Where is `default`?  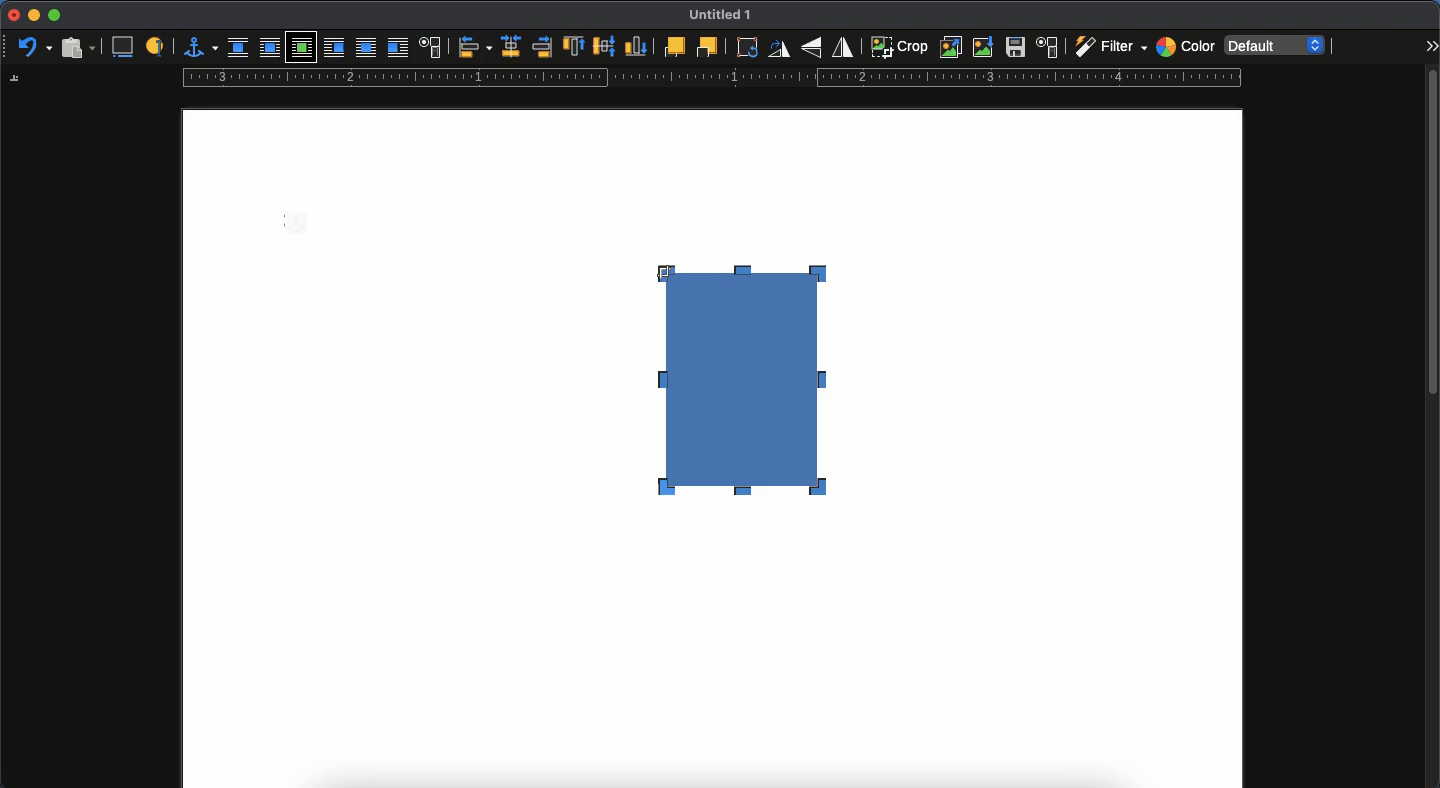 default is located at coordinates (1277, 44).